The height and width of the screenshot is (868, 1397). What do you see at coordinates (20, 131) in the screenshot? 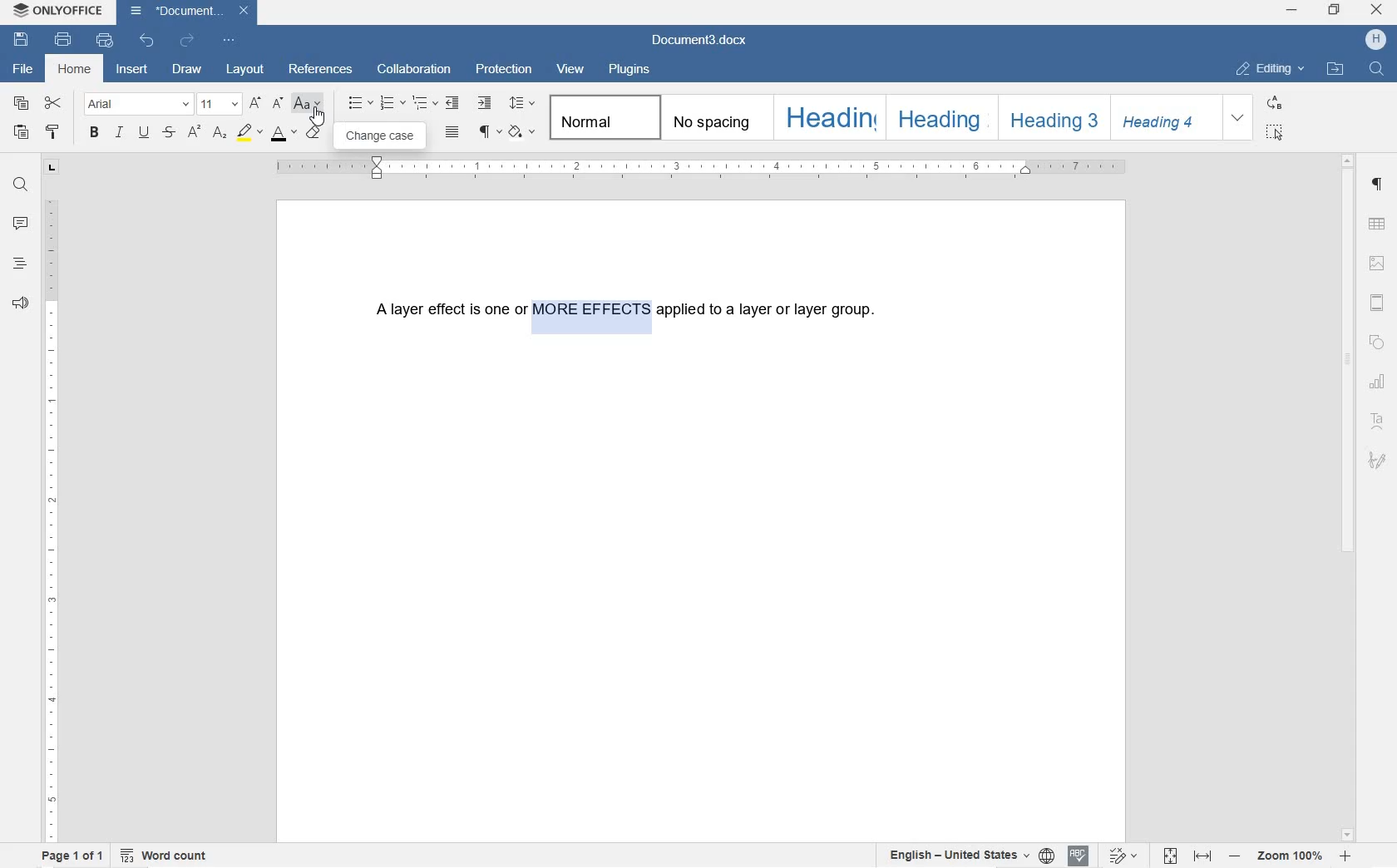
I see `PASTE` at bounding box center [20, 131].